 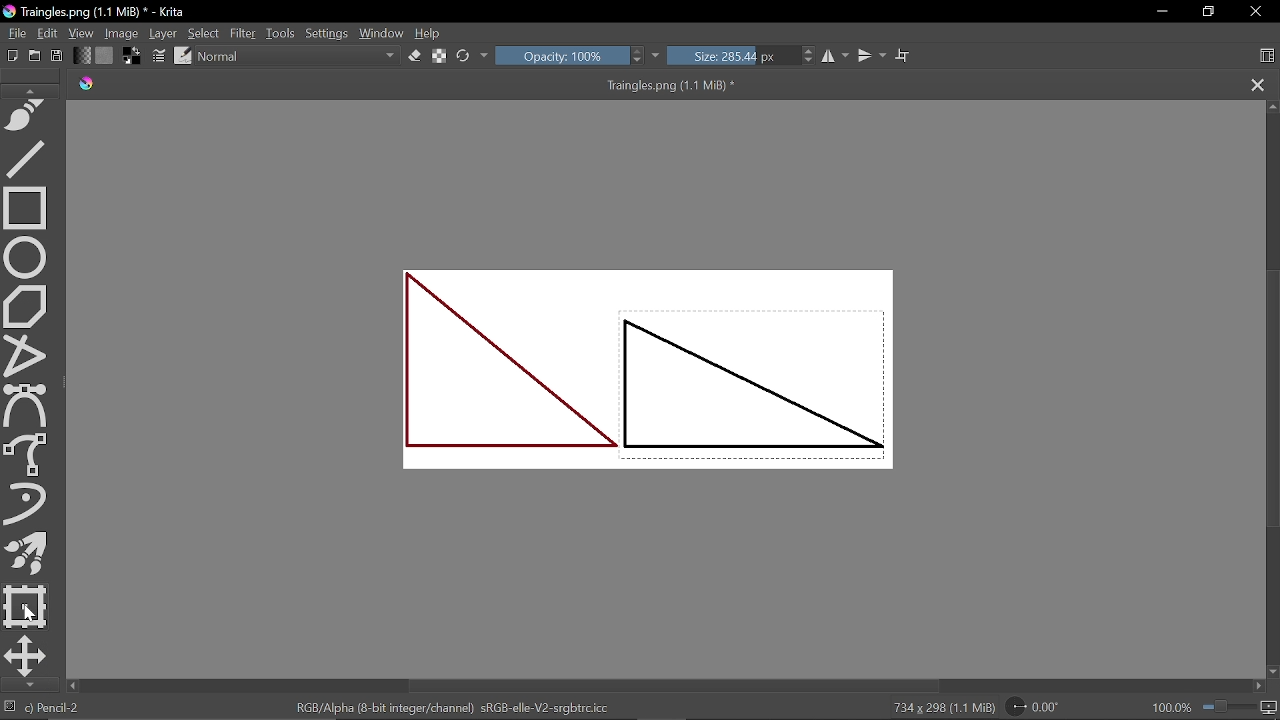 What do you see at coordinates (871, 56) in the screenshot?
I see `Vertical mirror` at bounding box center [871, 56].